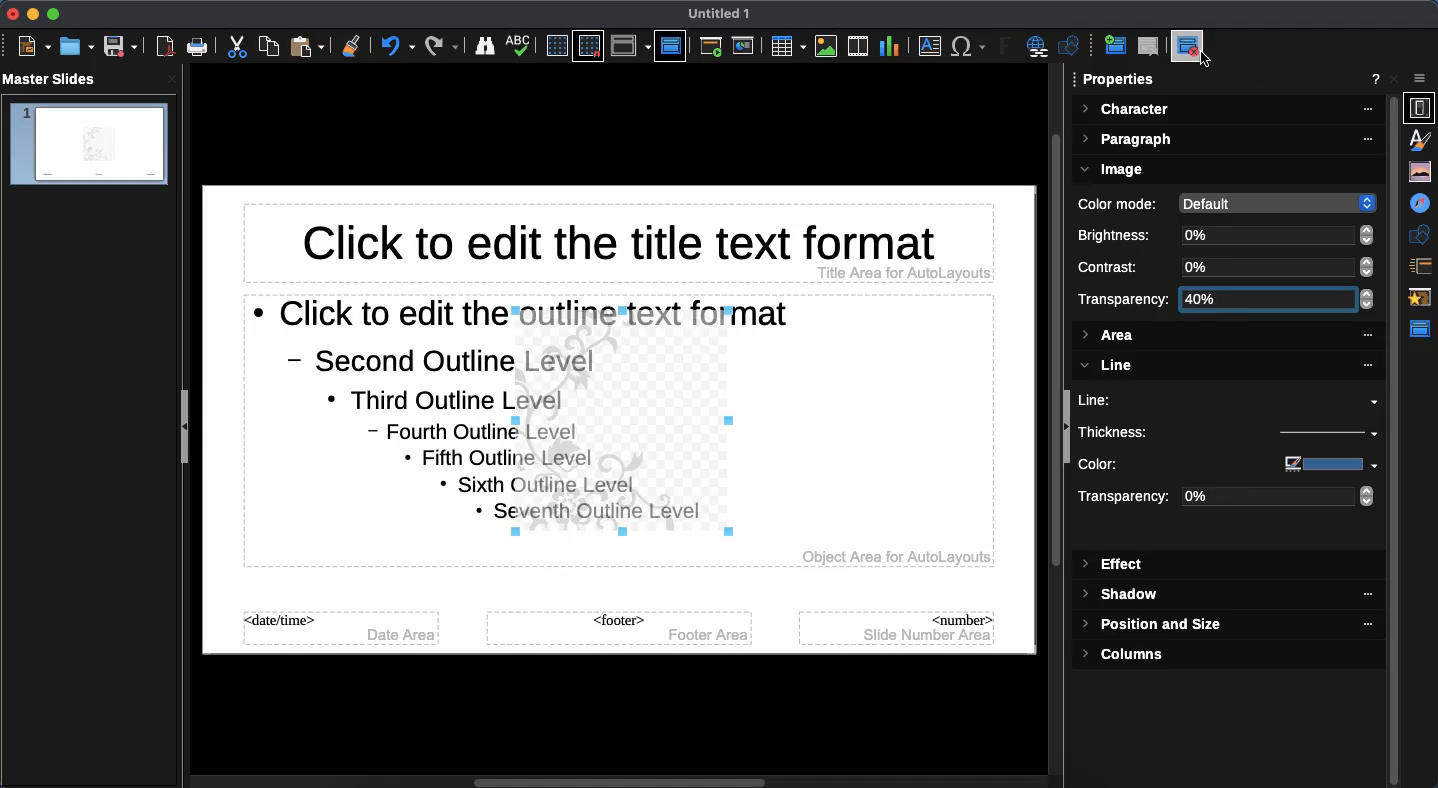 Image resolution: width=1438 pixels, height=788 pixels. Describe the element at coordinates (1124, 596) in the screenshot. I see `Shadow` at that location.